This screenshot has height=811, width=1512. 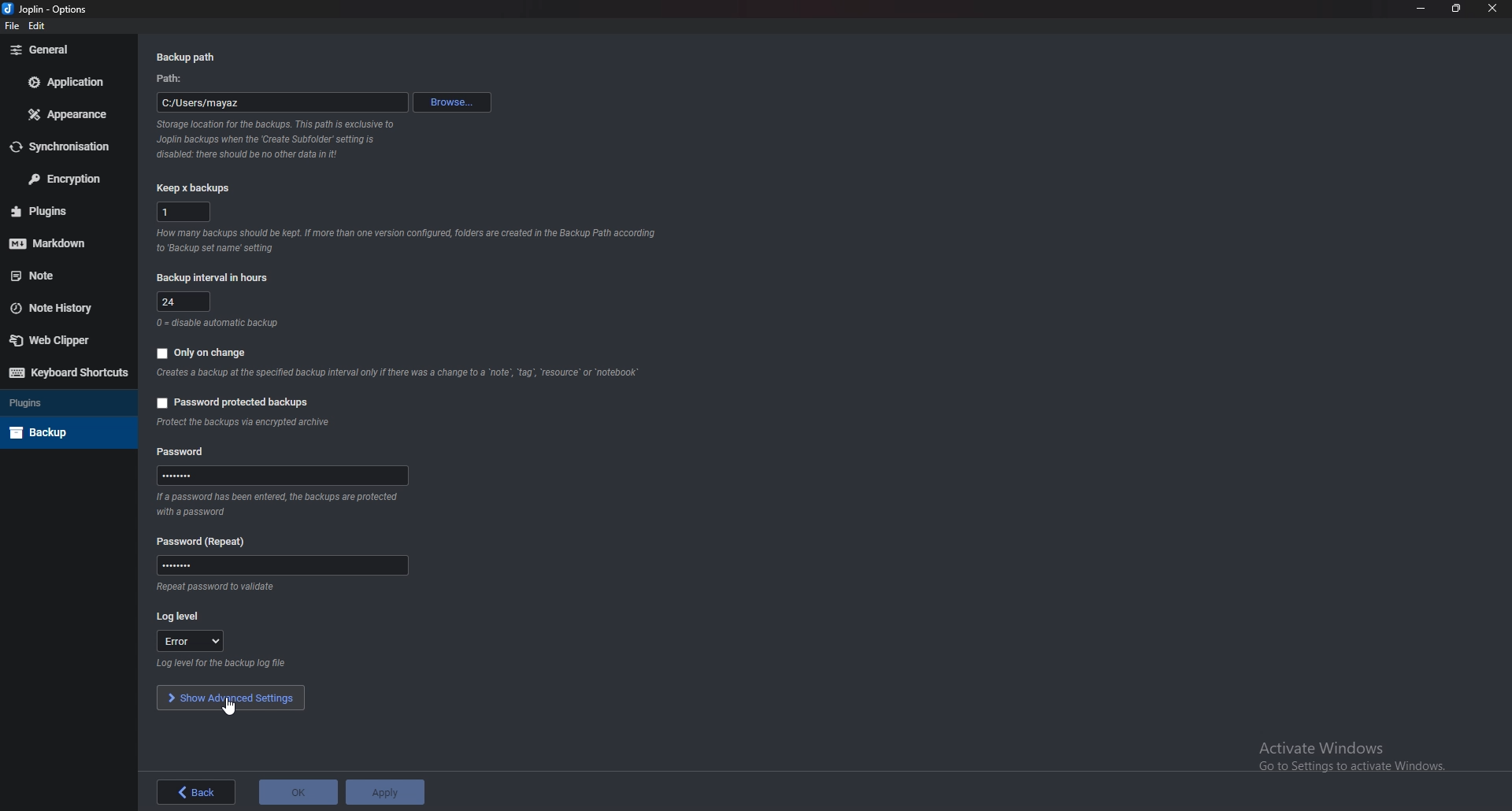 What do you see at coordinates (281, 475) in the screenshot?
I see `Password` at bounding box center [281, 475].